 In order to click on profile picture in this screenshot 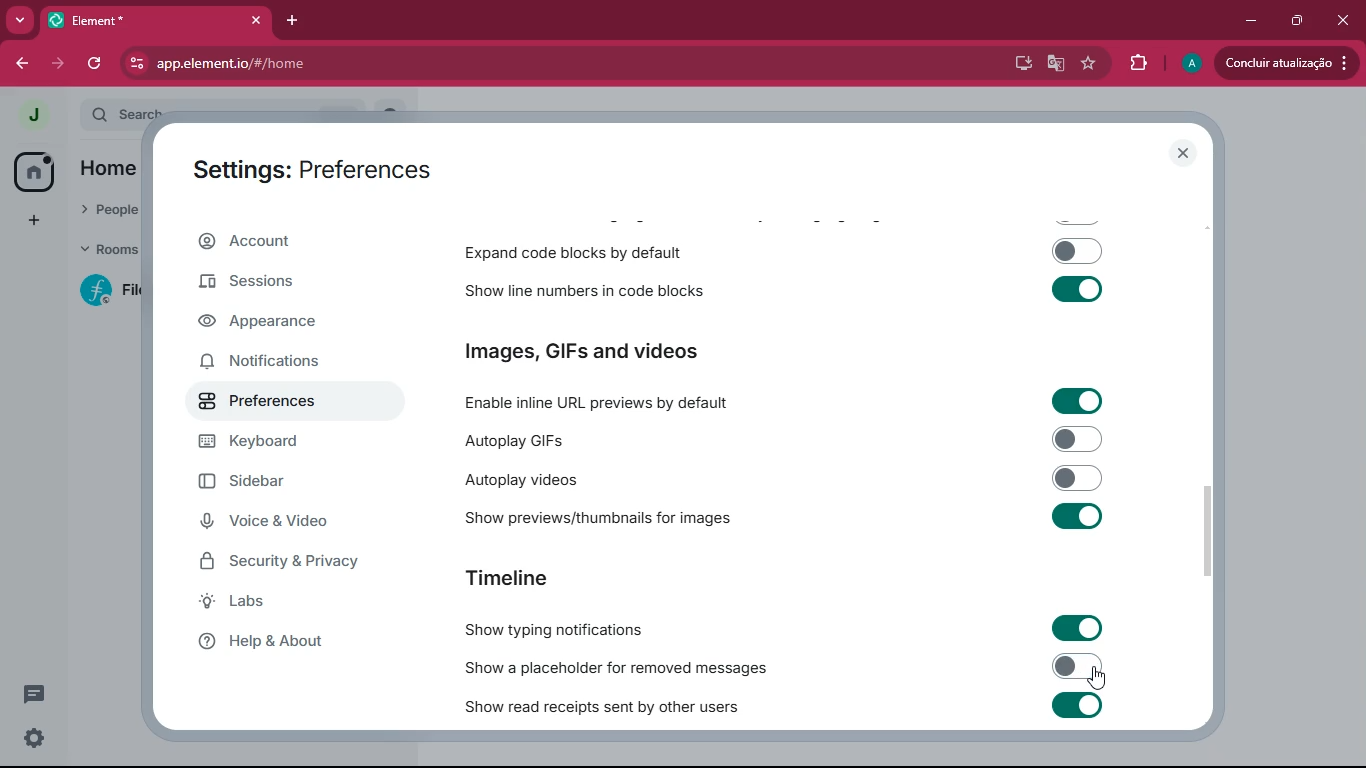, I will do `click(32, 115)`.